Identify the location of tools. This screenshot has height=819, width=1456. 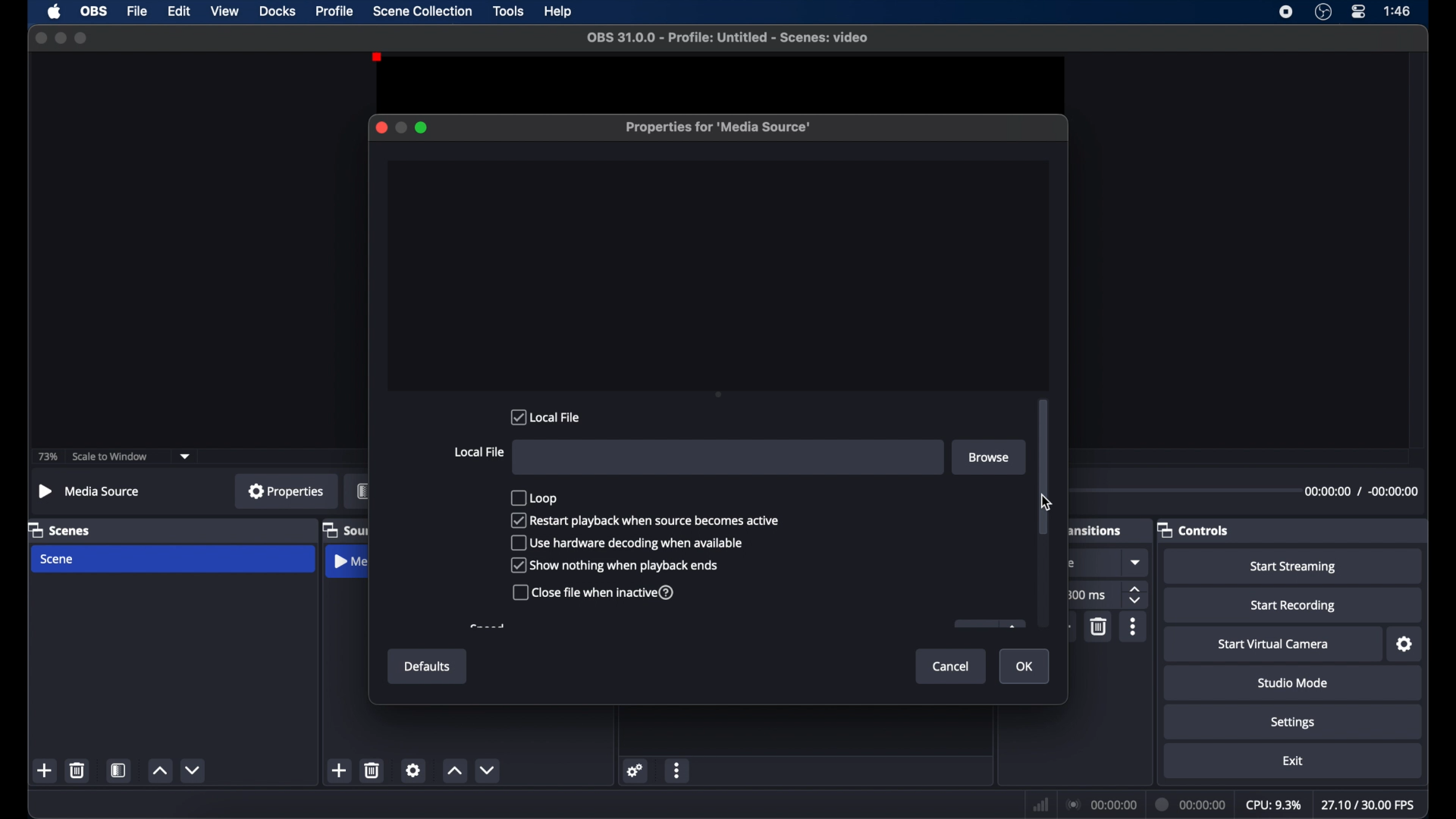
(510, 10).